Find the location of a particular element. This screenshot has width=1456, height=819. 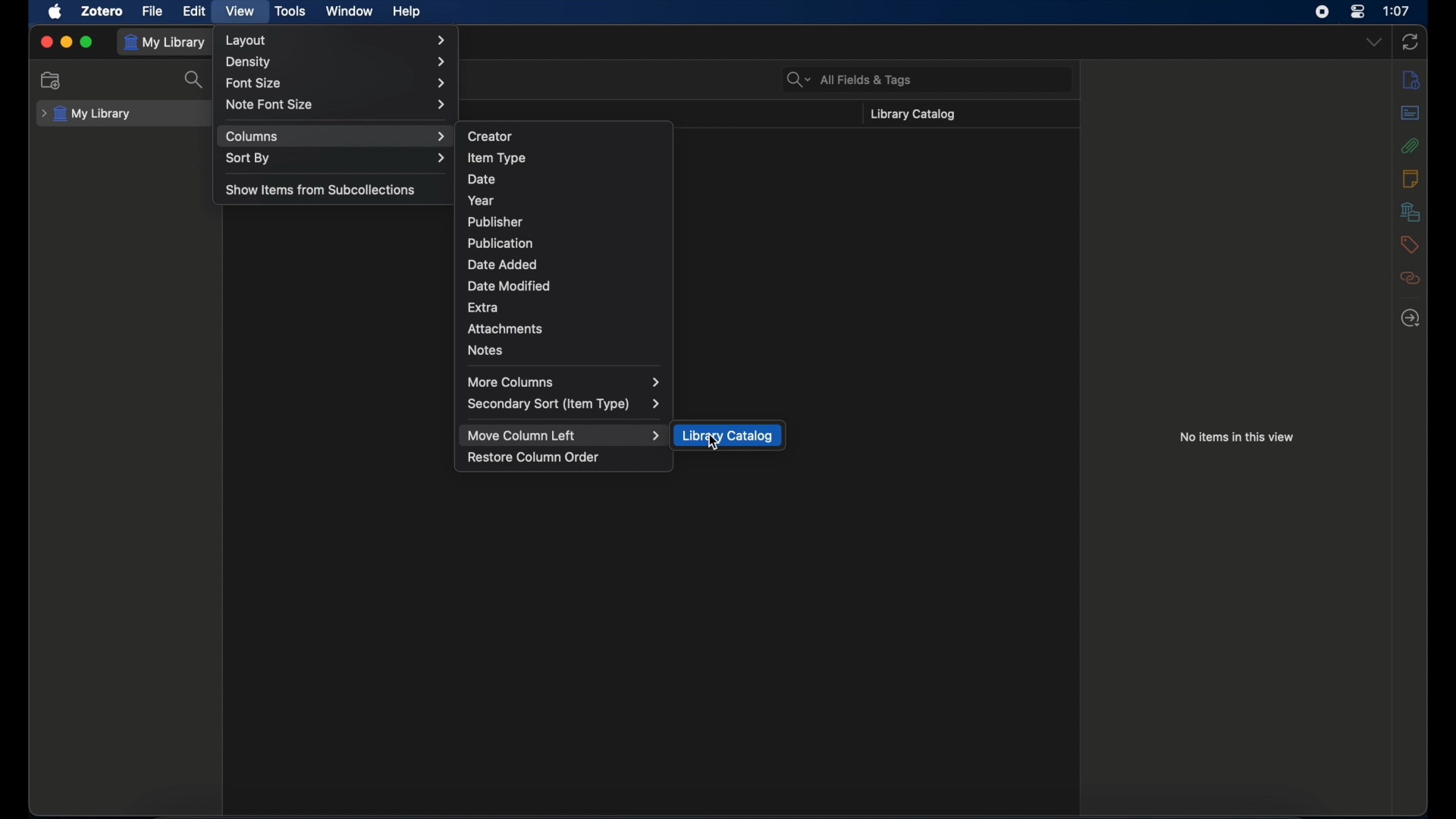

screen recorder is located at coordinates (1321, 11).